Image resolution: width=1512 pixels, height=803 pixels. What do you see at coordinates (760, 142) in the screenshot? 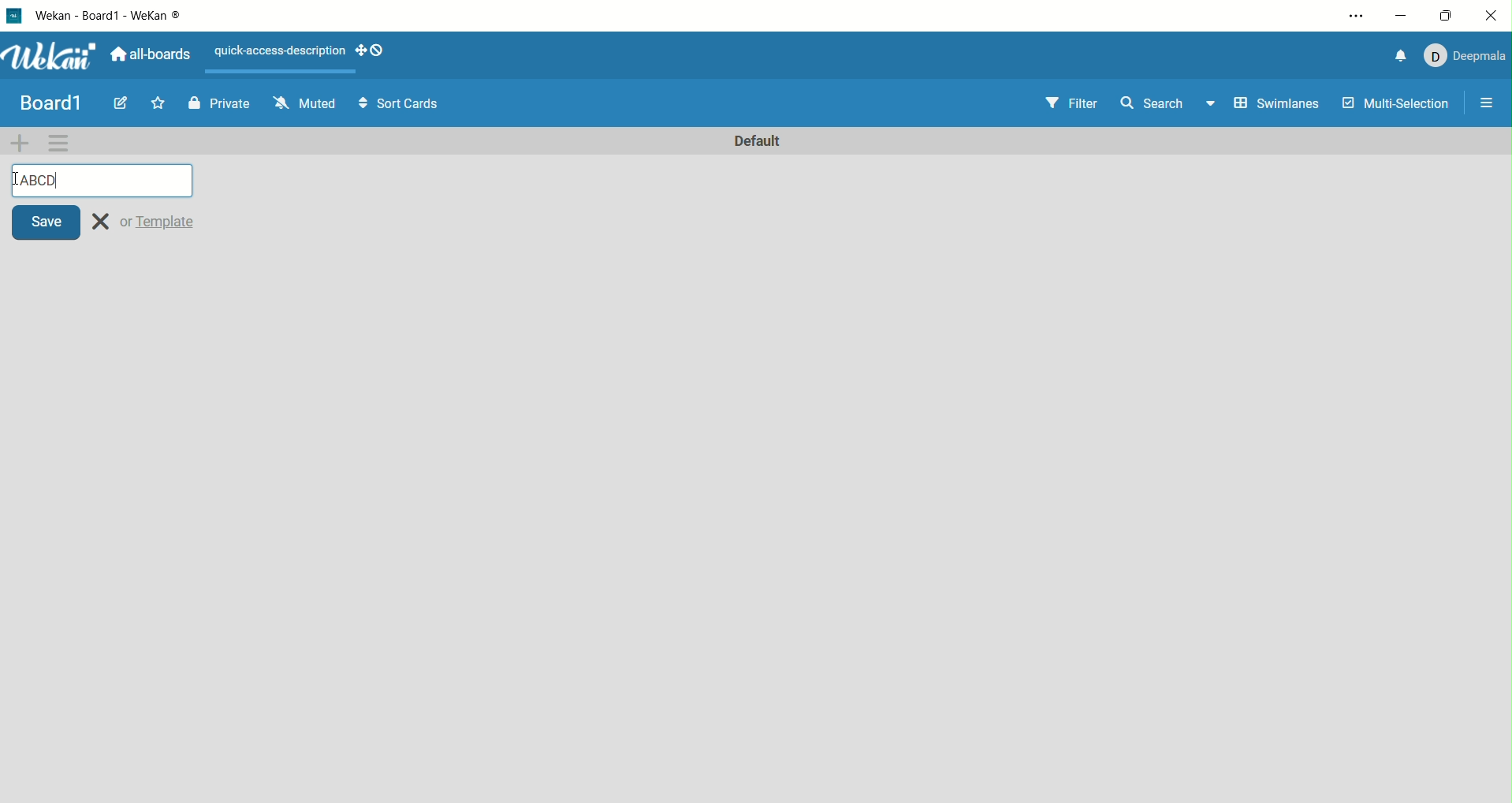
I see `default` at bounding box center [760, 142].